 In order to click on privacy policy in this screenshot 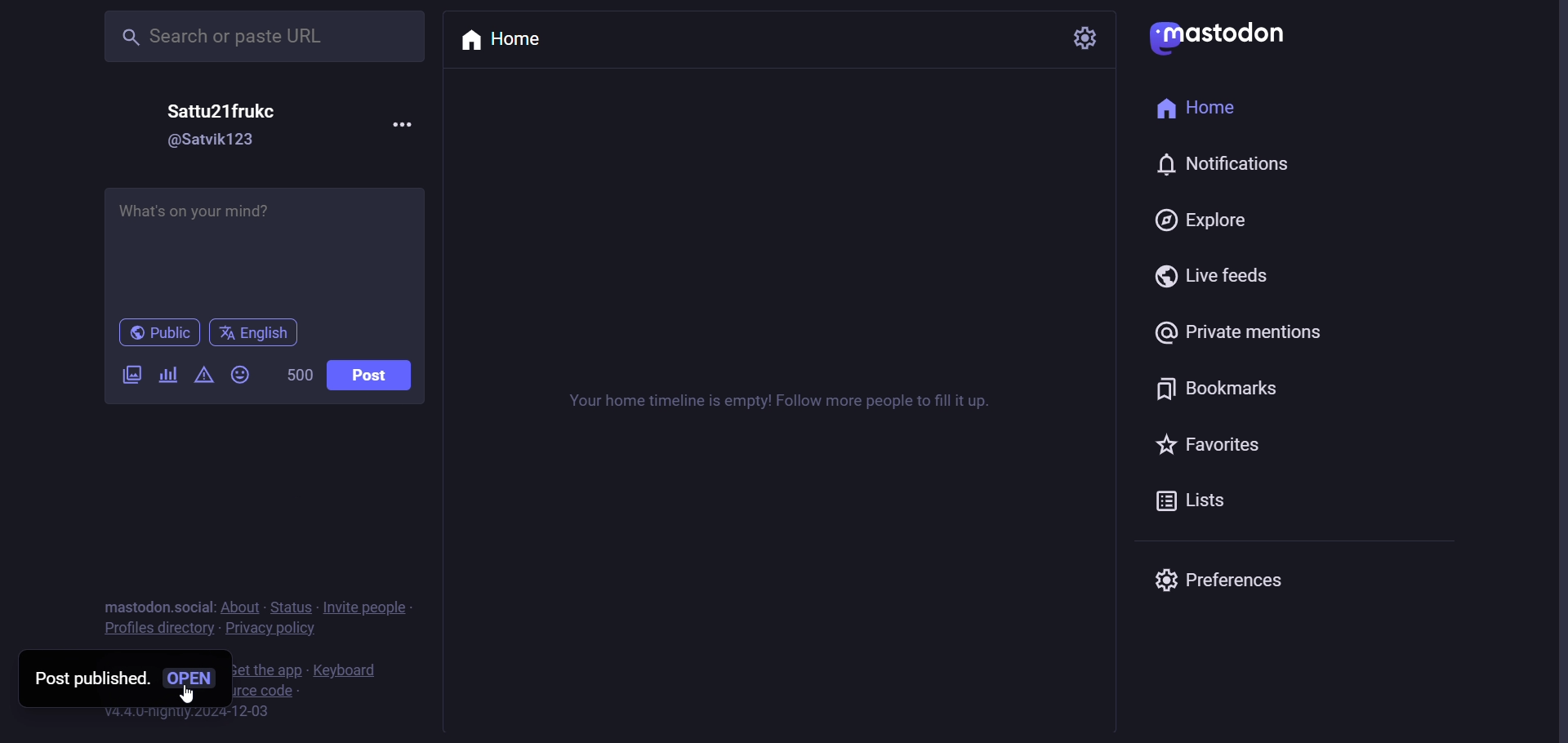, I will do `click(270, 631)`.